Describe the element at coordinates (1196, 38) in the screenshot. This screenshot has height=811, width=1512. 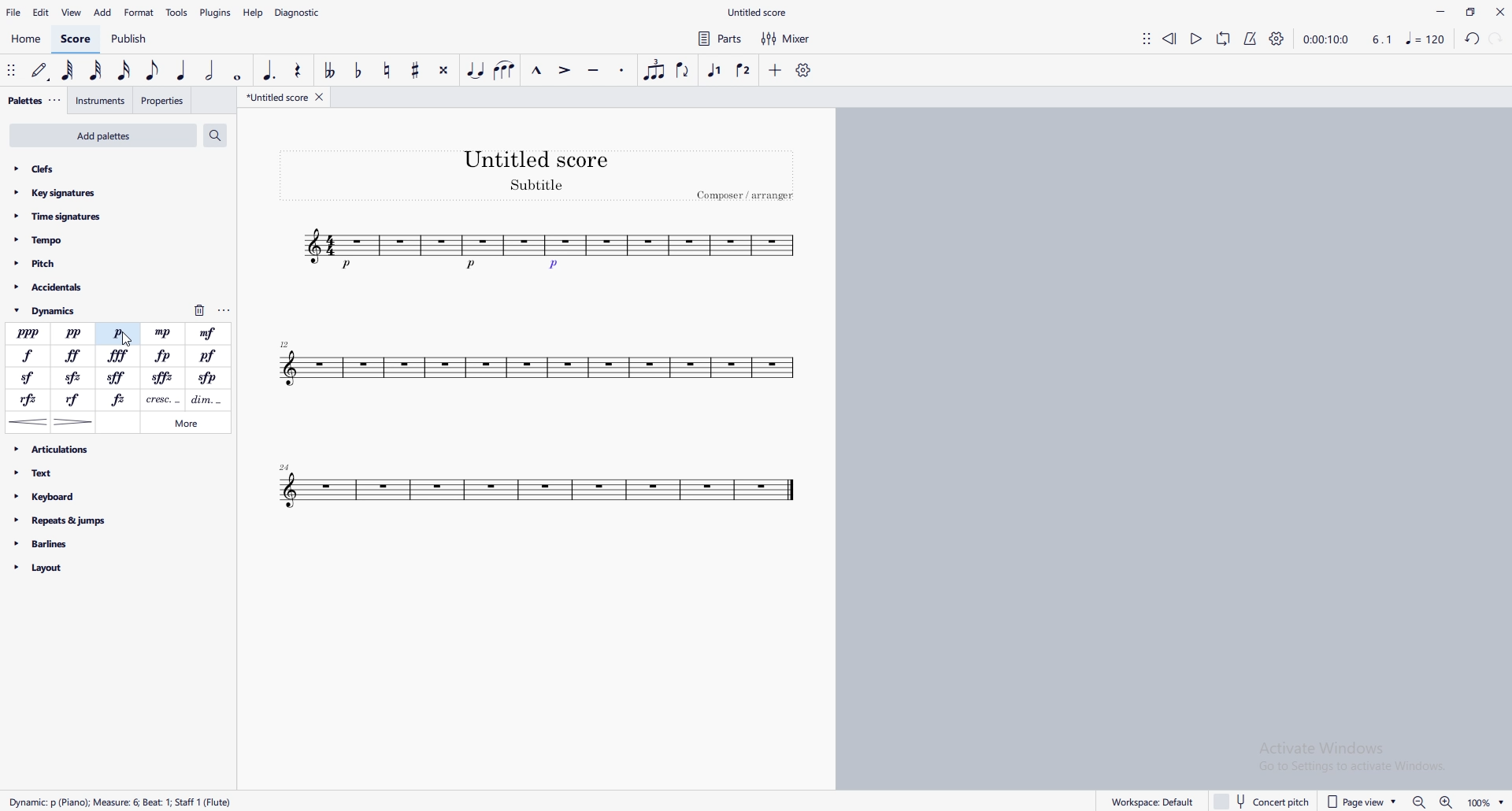
I see `play` at that location.